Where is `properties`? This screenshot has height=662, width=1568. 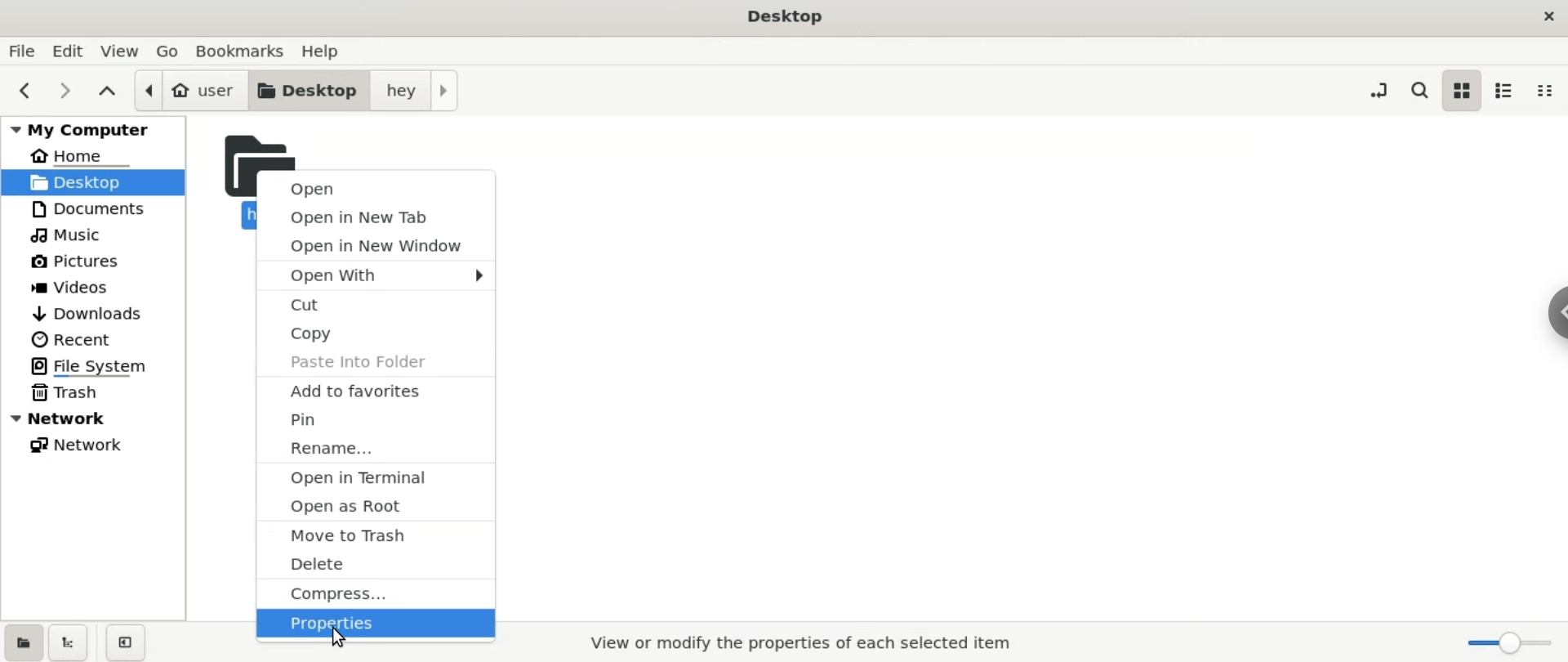 properties is located at coordinates (375, 624).